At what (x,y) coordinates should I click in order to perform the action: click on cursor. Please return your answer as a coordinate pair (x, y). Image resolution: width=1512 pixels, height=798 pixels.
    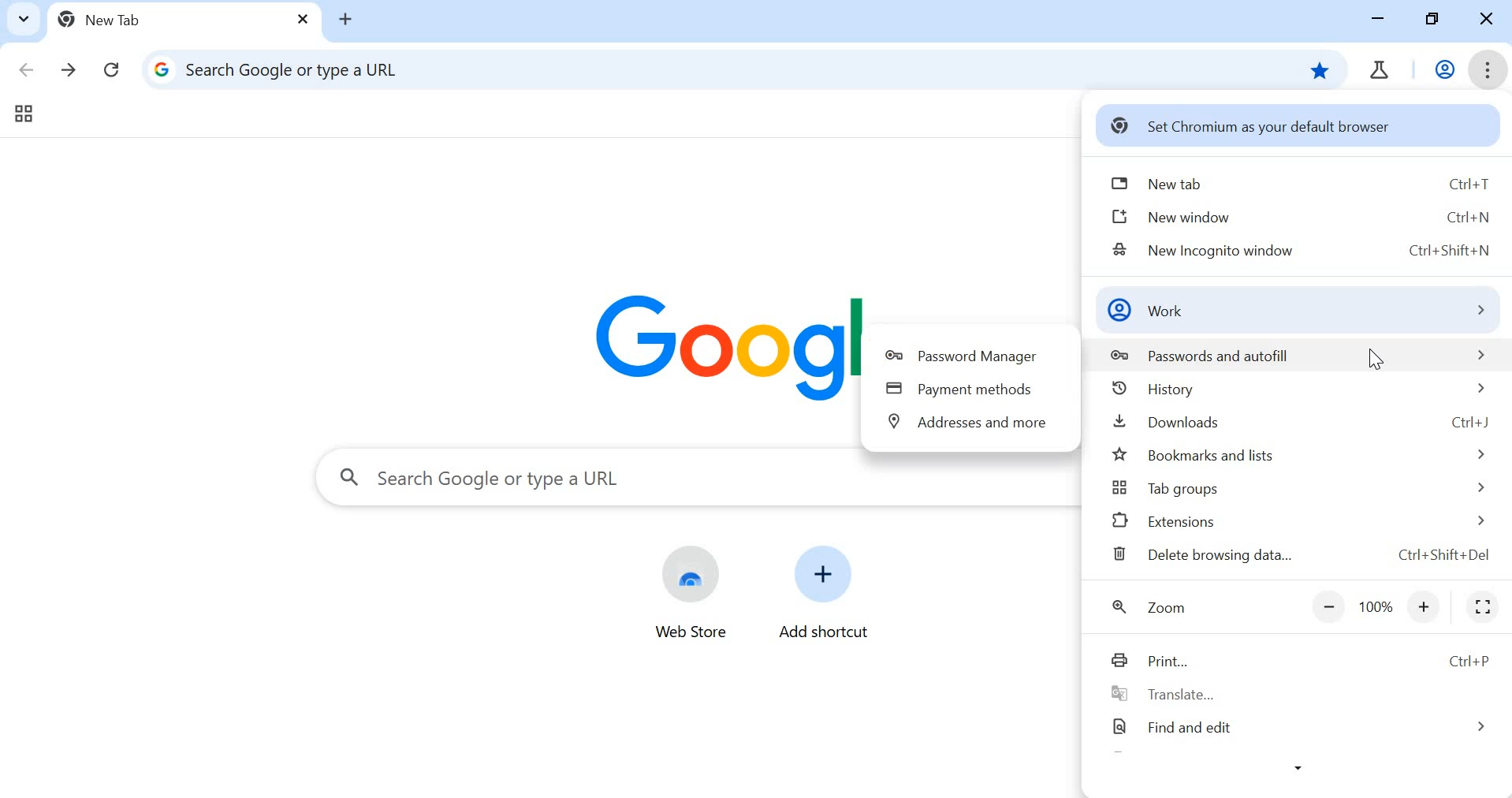
    Looking at the image, I should click on (1371, 359).